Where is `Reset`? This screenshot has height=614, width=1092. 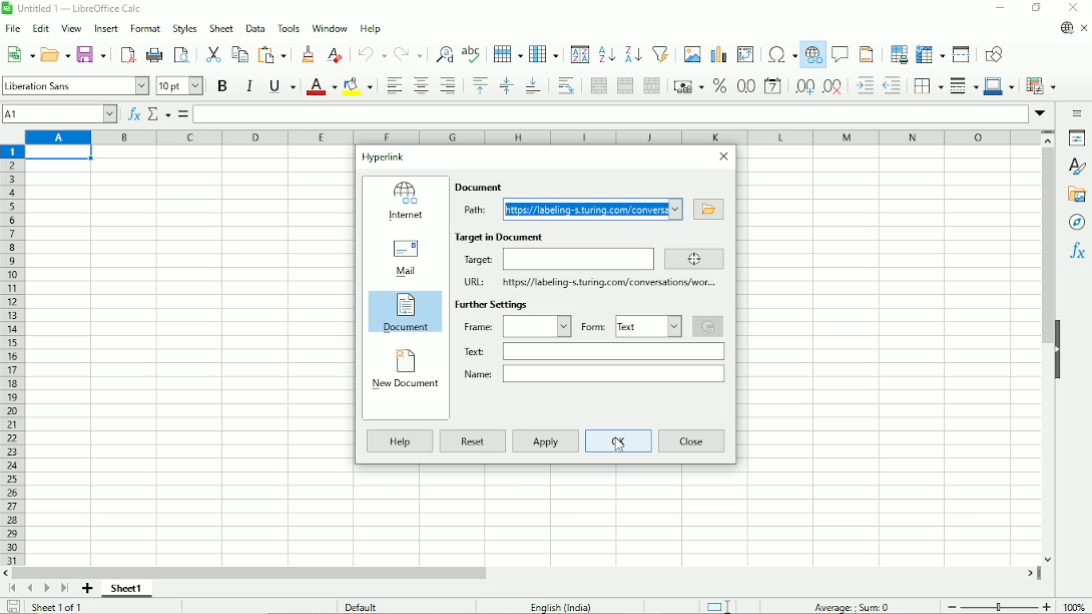
Reset is located at coordinates (473, 441).